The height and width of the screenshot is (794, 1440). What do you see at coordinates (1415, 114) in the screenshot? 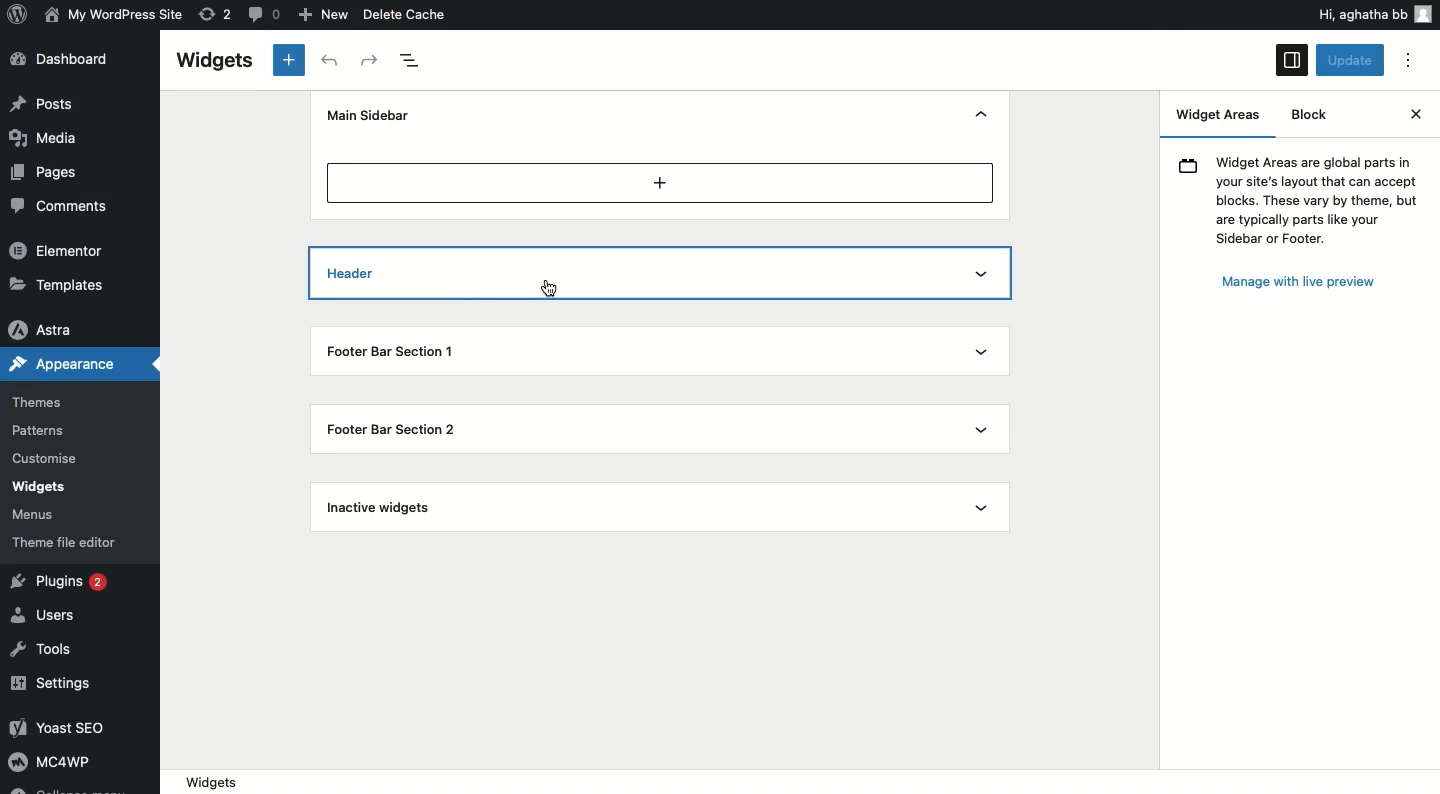
I see `Close` at bounding box center [1415, 114].